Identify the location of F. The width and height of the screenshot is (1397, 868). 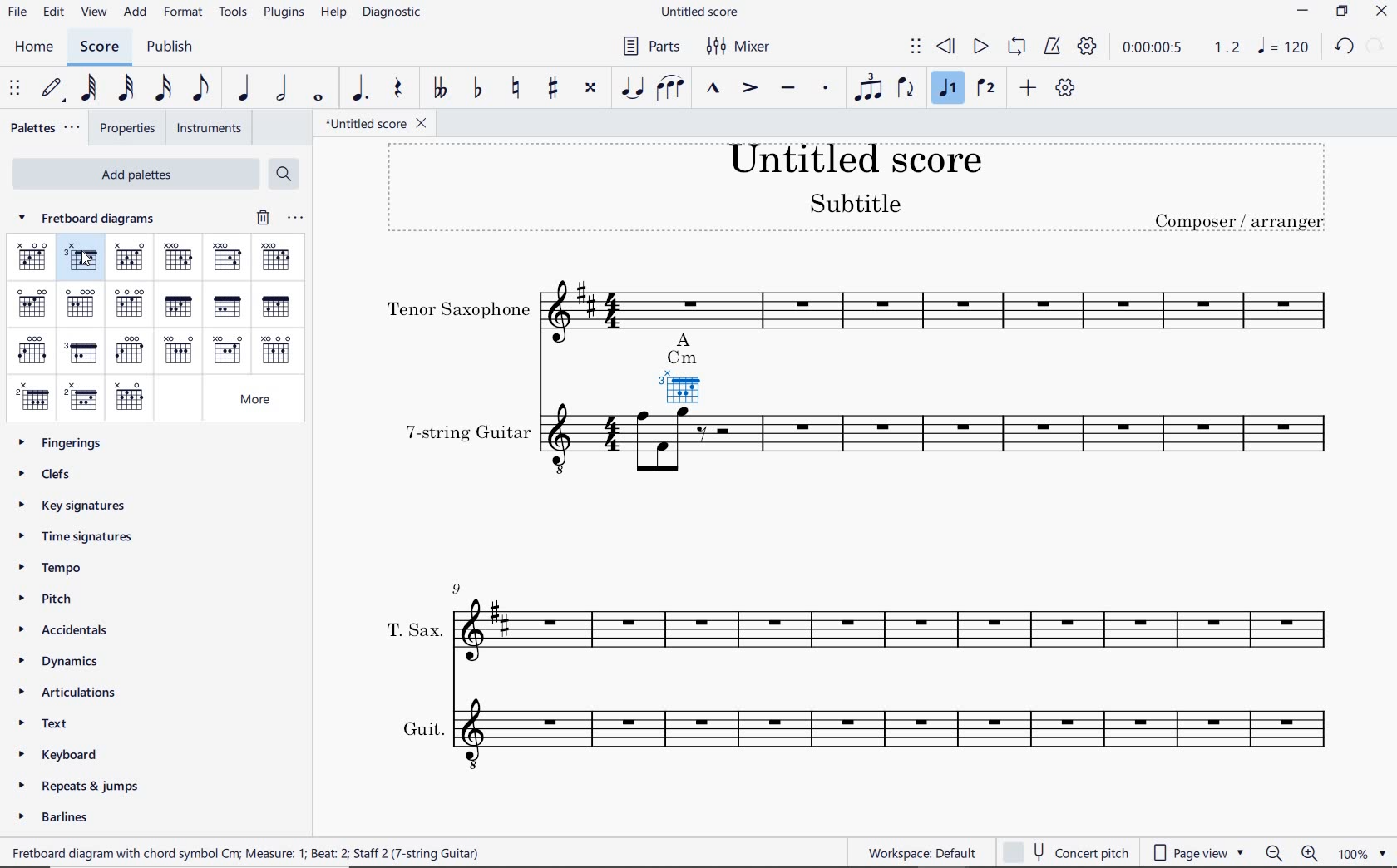
(177, 307).